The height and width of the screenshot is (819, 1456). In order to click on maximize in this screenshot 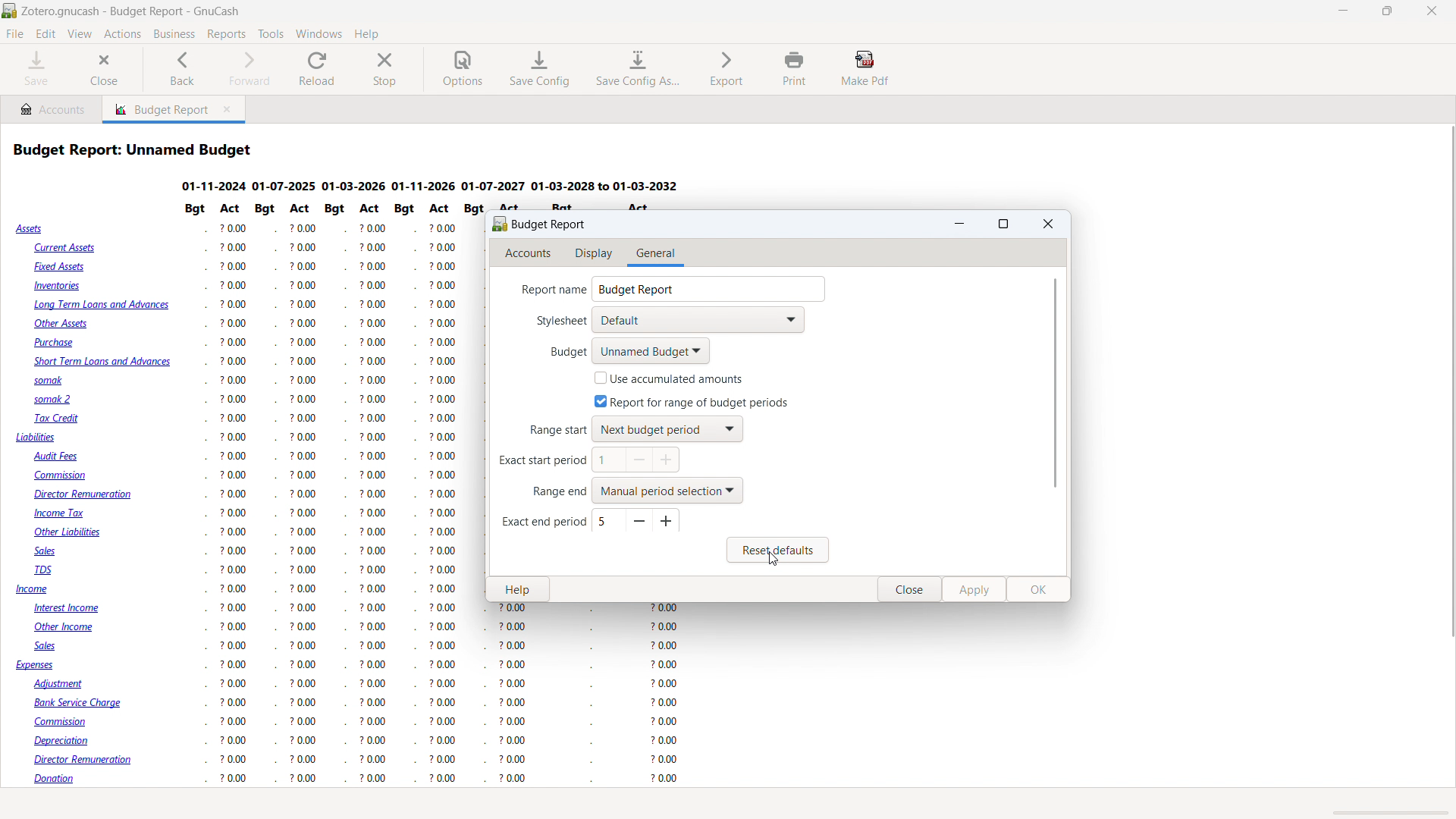, I will do `click(1386, 11)`.